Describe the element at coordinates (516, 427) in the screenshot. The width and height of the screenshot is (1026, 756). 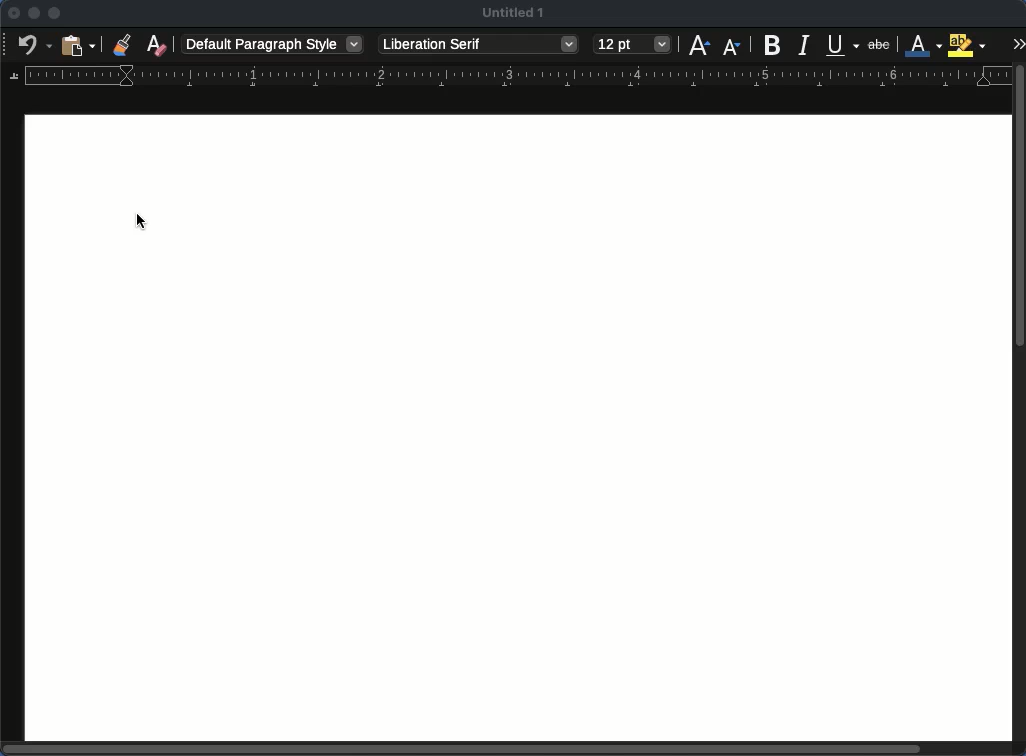
I see `page` at that location.